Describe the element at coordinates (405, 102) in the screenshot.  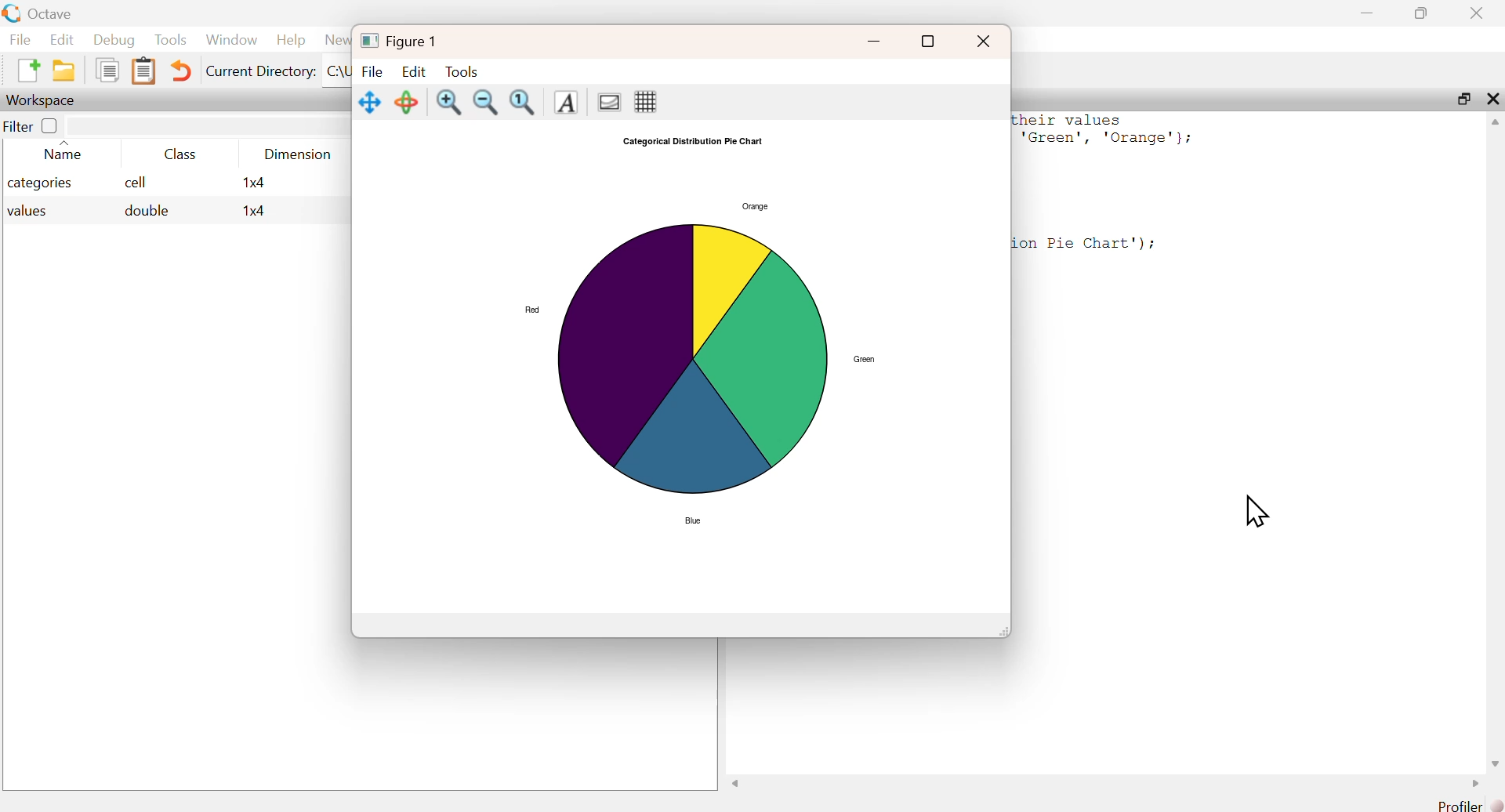
I see `Rotate` at that location.